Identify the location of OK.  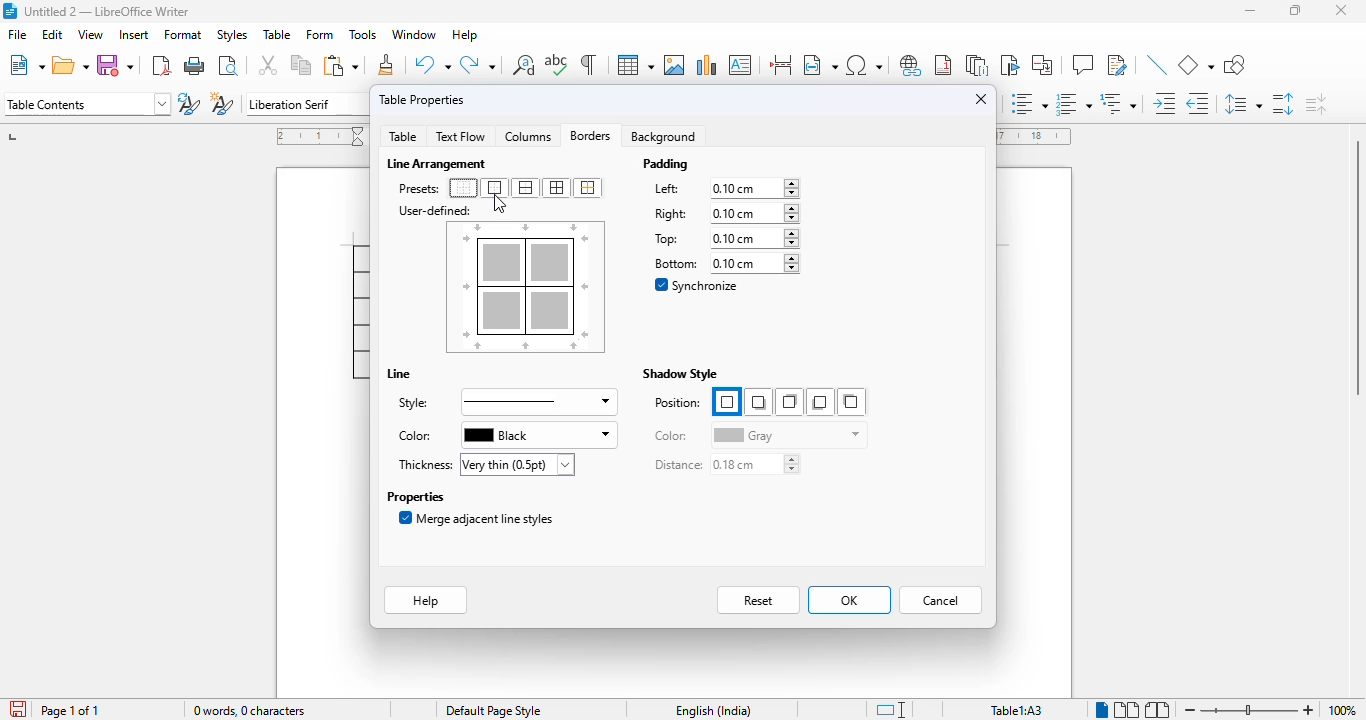
(850, 601).